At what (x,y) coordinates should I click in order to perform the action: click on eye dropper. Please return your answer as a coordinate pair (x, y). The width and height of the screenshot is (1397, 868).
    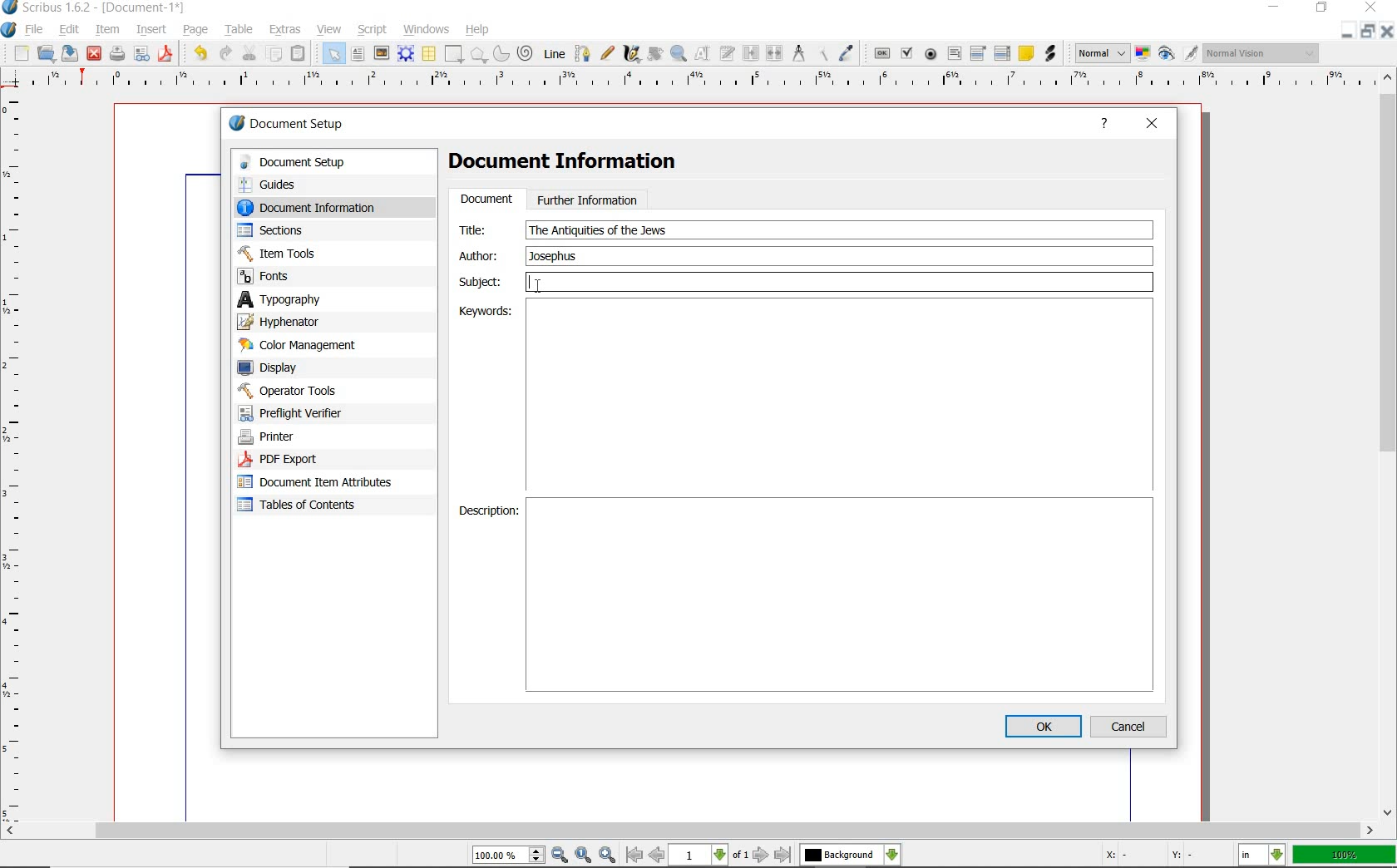
    Looking at the image, I should click on (847, 52).